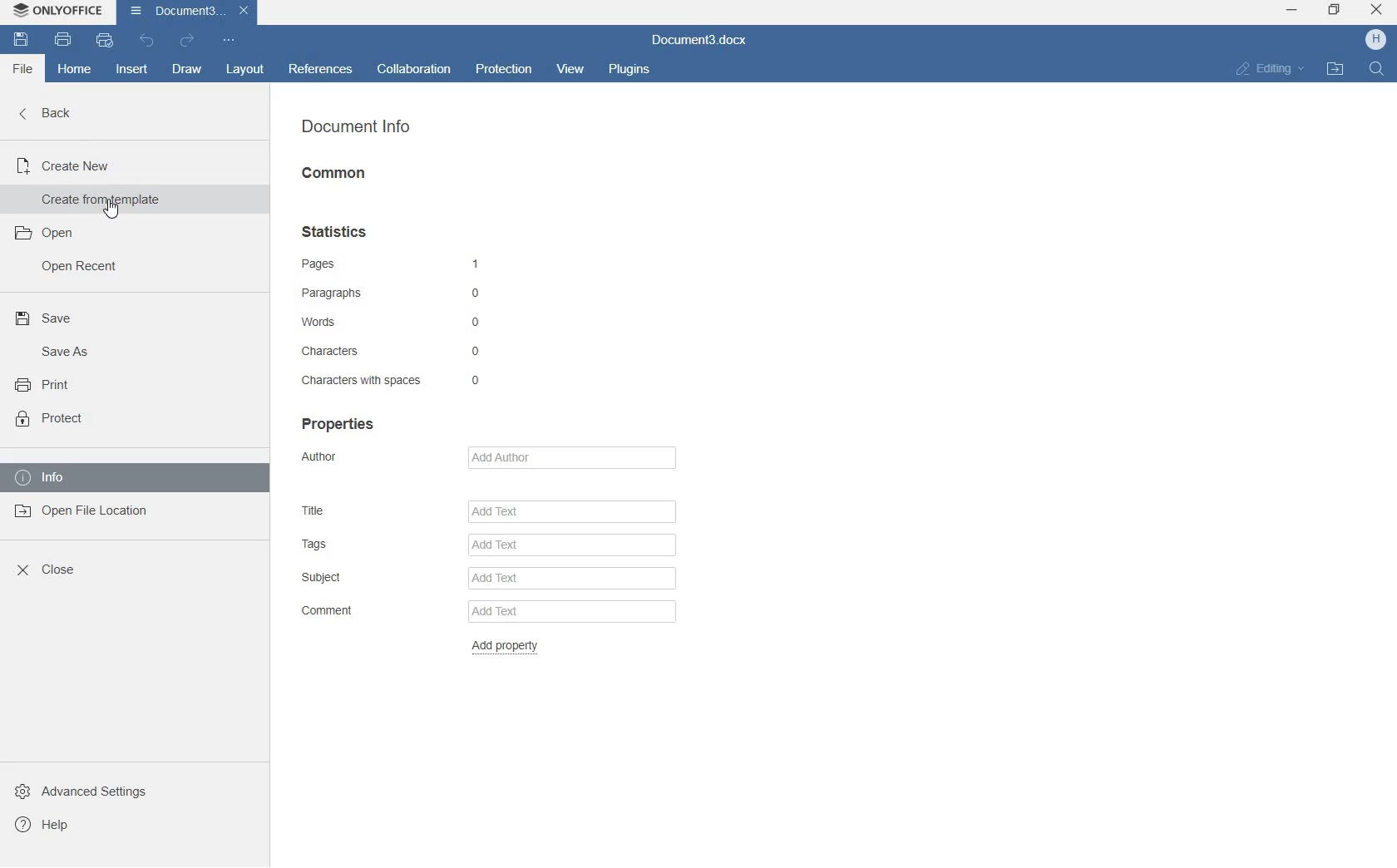 This screenshot has width=1397, height=868. What do you see at coordinates (188, 69) in the screenshot?
I see `draw` at bounding box center [188, 69].